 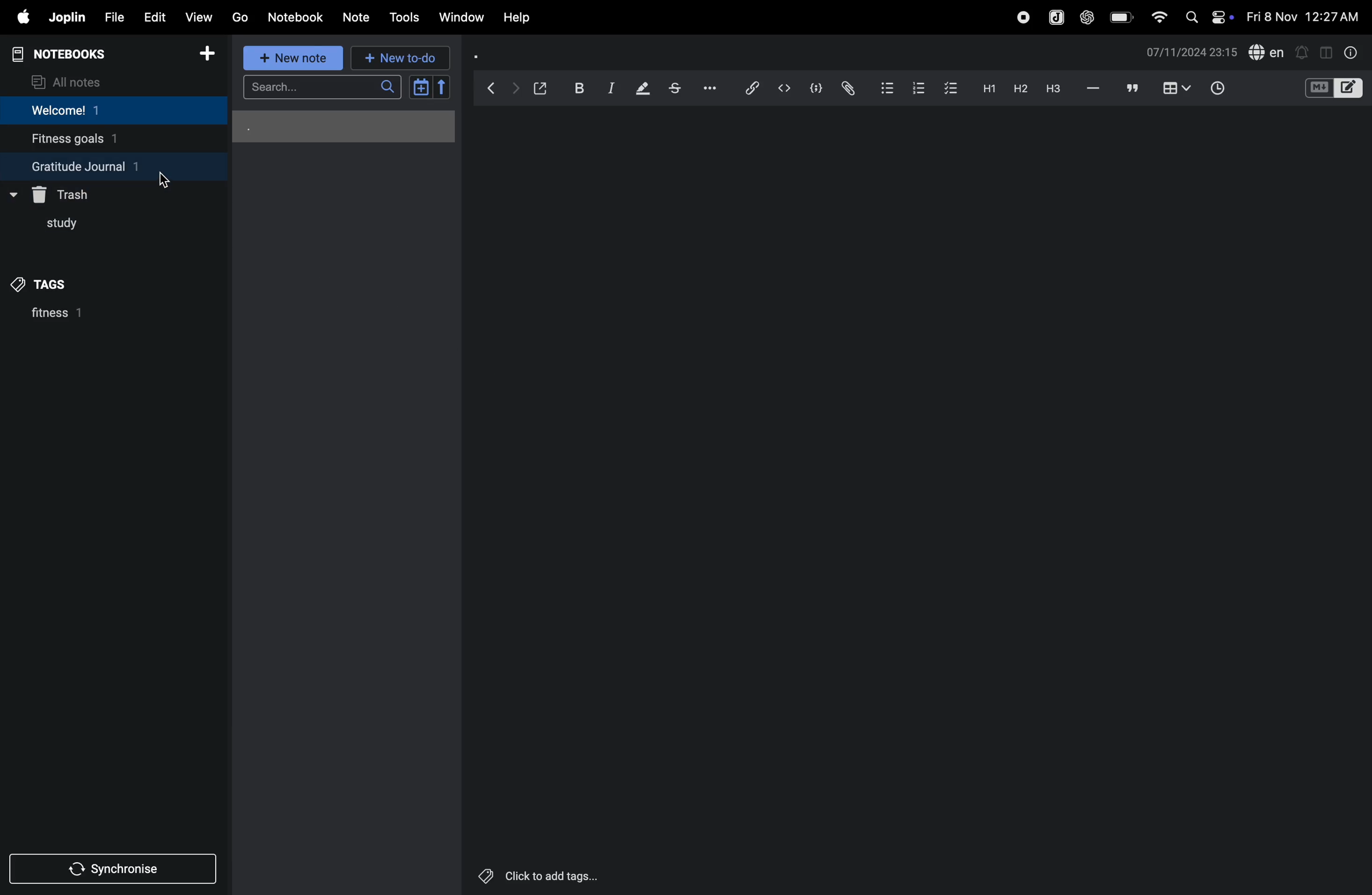 What do you see at coordinates (397, 58) in the screenshot?
I see `new to do` at bounding box center [397, 58].